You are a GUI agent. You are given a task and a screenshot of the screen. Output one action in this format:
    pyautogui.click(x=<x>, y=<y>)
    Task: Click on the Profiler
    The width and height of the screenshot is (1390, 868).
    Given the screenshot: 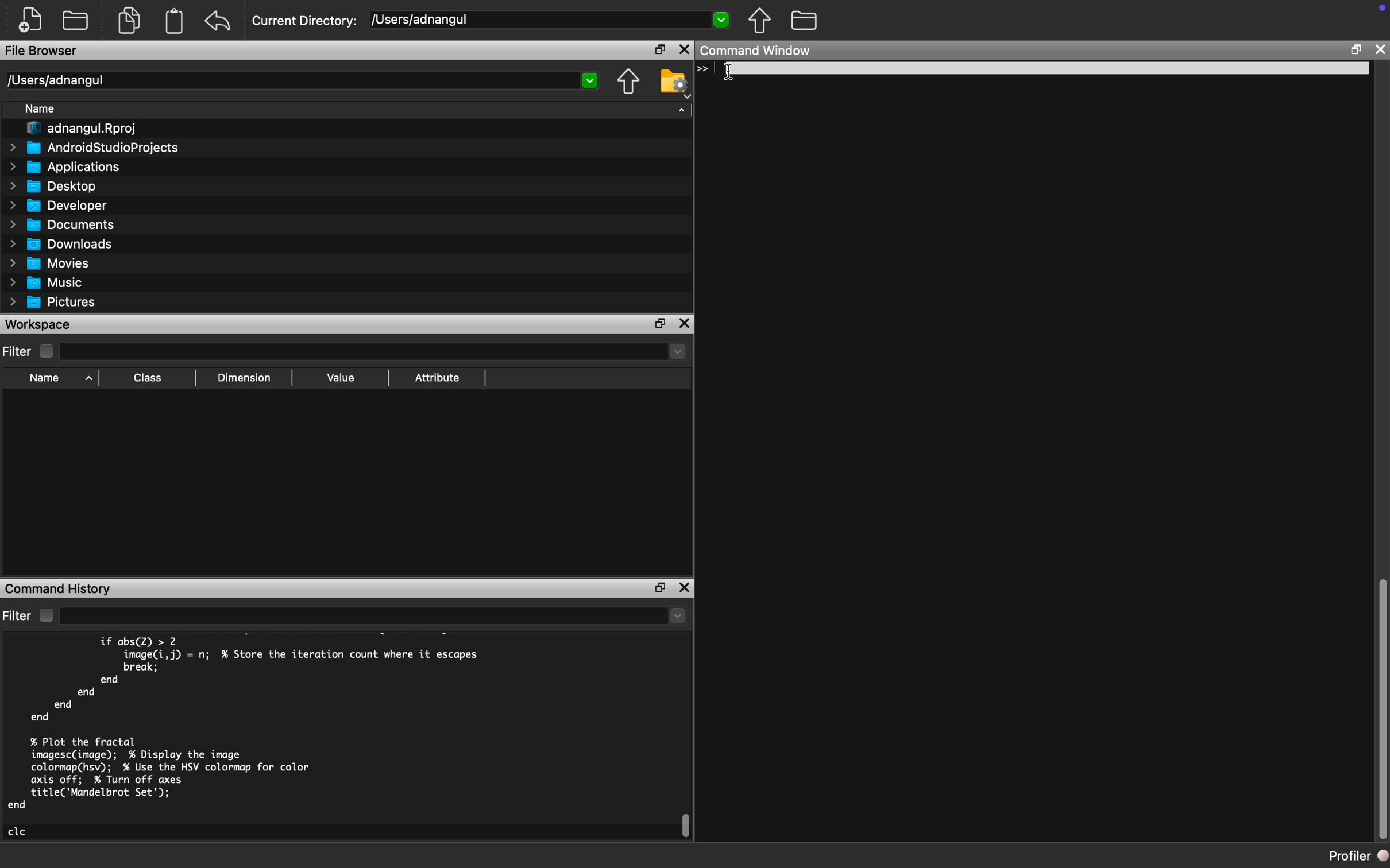 What is the action you would take?
    pyautogui.click(x=1357, y=858)
    